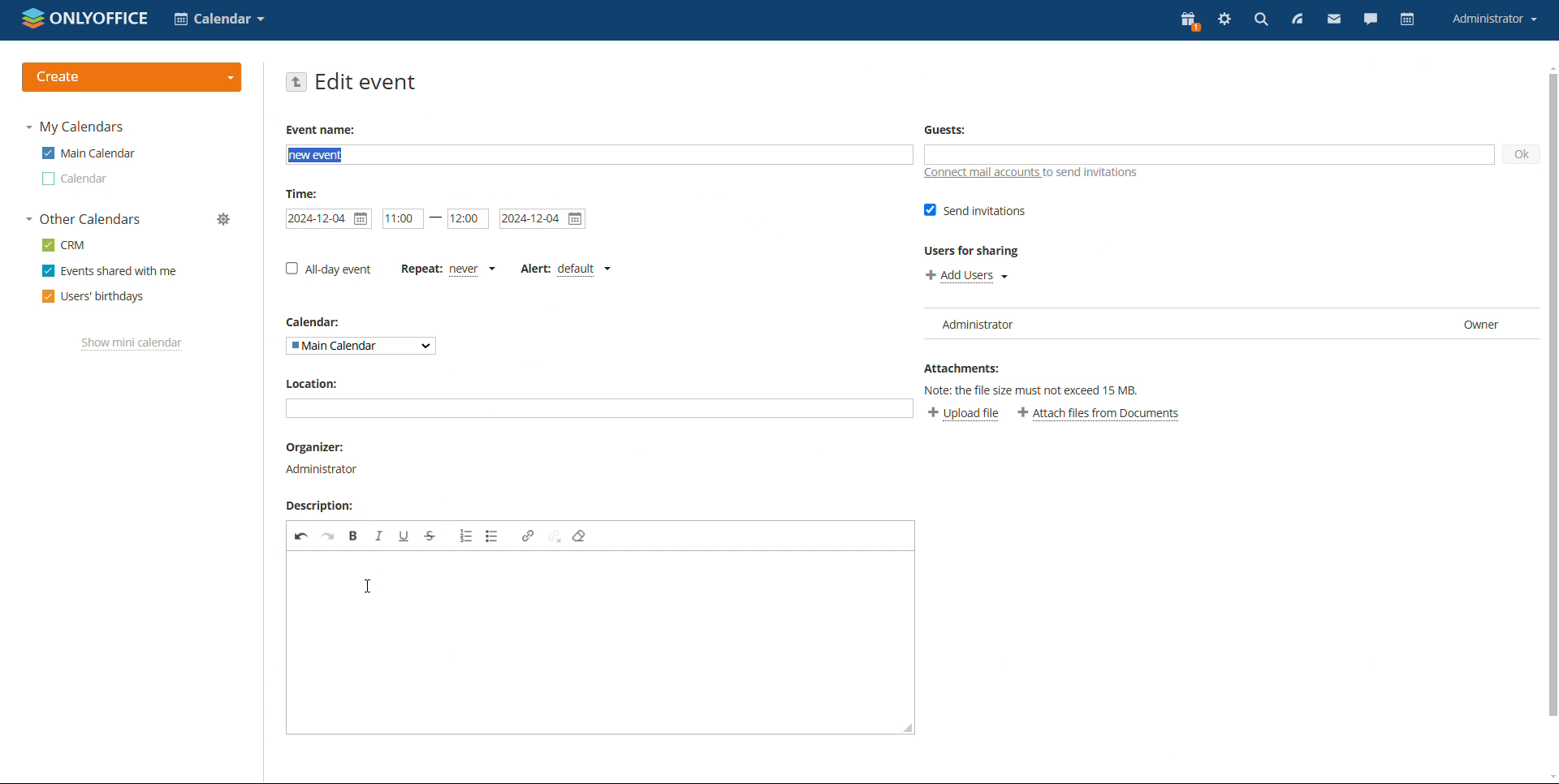 This screenshot has height=784, width=1559. I want to click on Users for sharing, so click(972, 252).